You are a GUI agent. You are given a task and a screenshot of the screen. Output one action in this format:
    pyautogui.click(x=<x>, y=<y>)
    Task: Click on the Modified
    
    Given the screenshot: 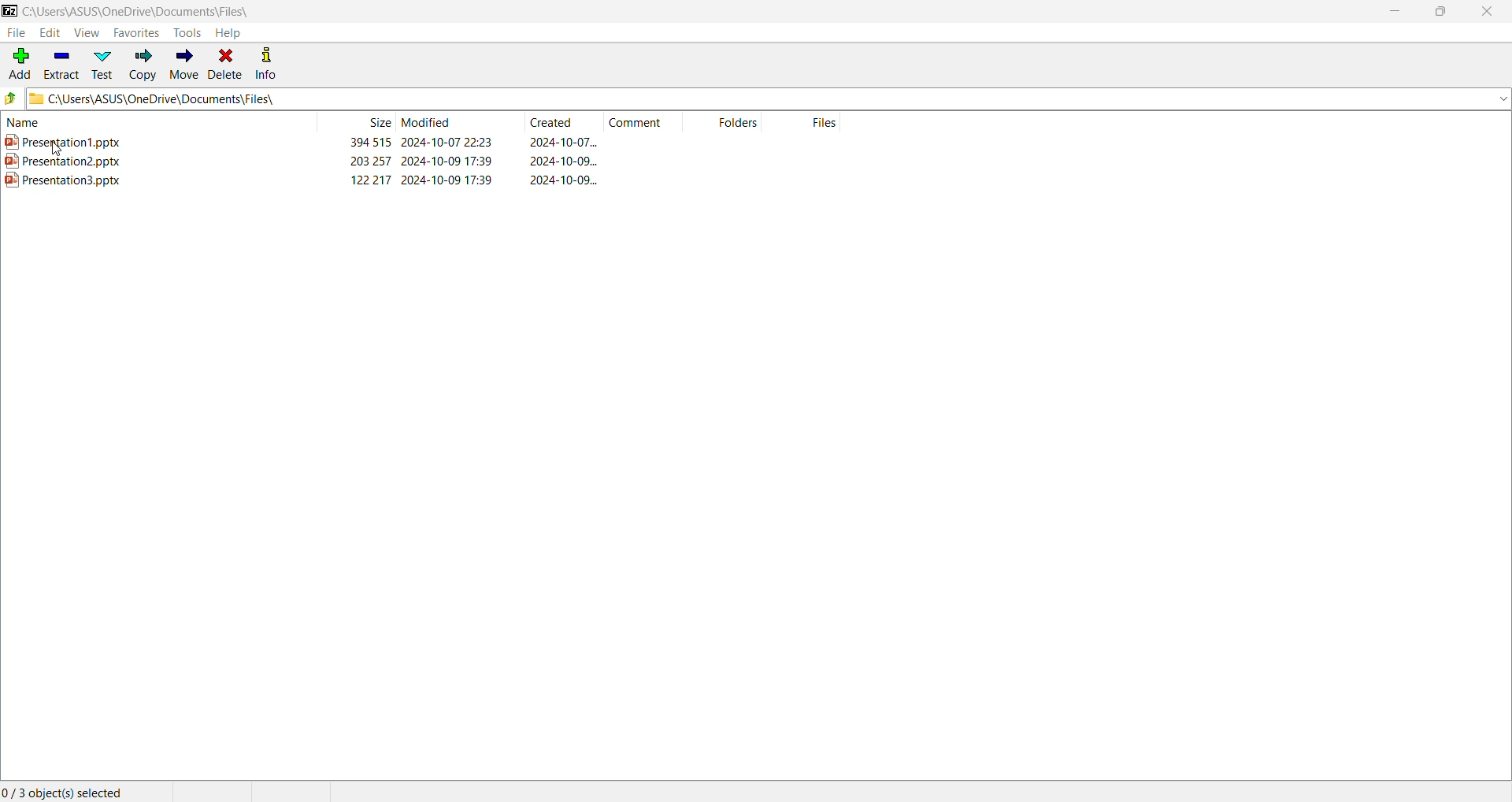 What is the action you would take?
    pyautogui.click(x=428, y=123)
    